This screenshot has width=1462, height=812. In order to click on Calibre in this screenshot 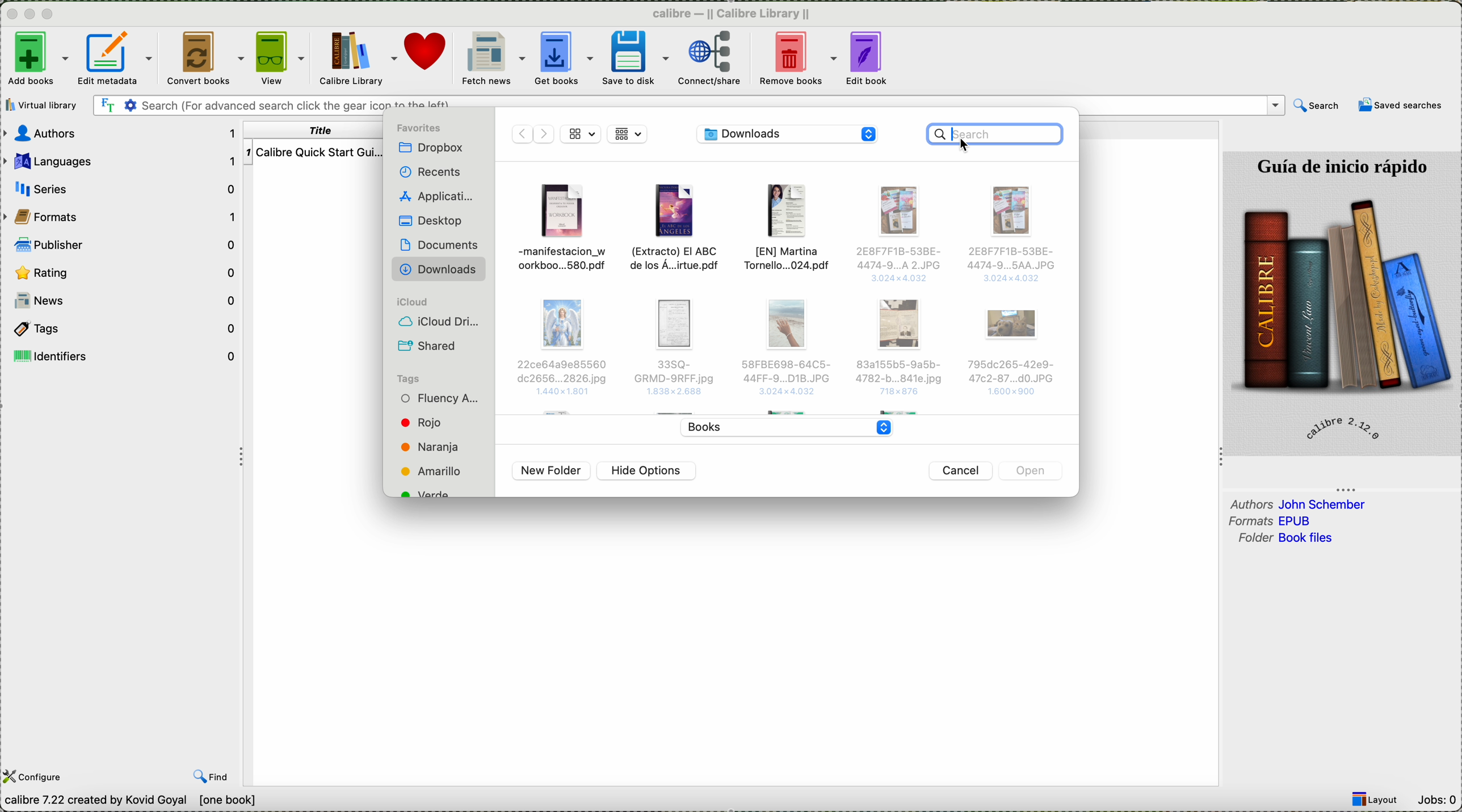, I will do `click(731, 15)`.